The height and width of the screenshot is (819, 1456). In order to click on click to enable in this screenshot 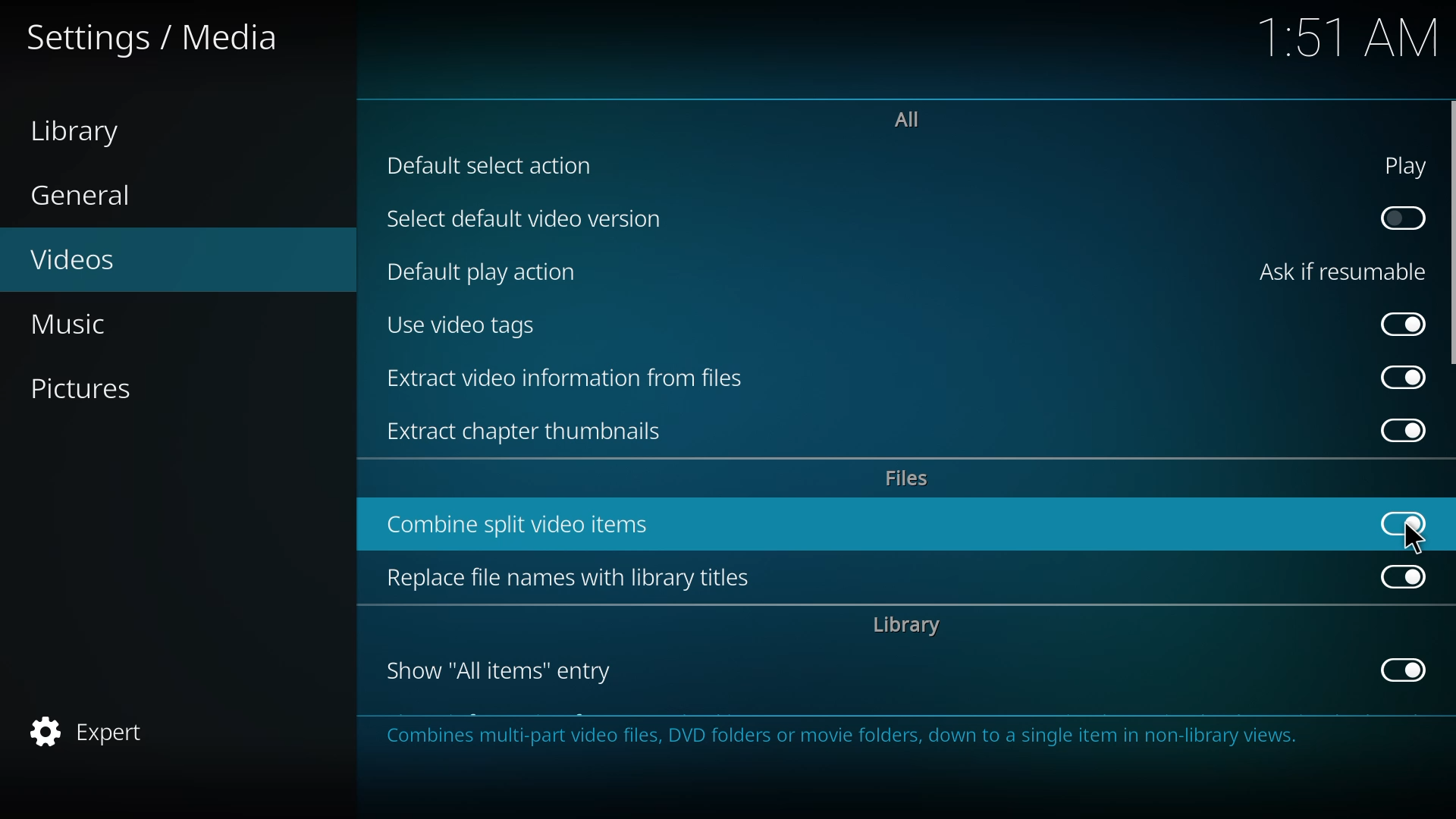, I will do `click(1397, 218)`.